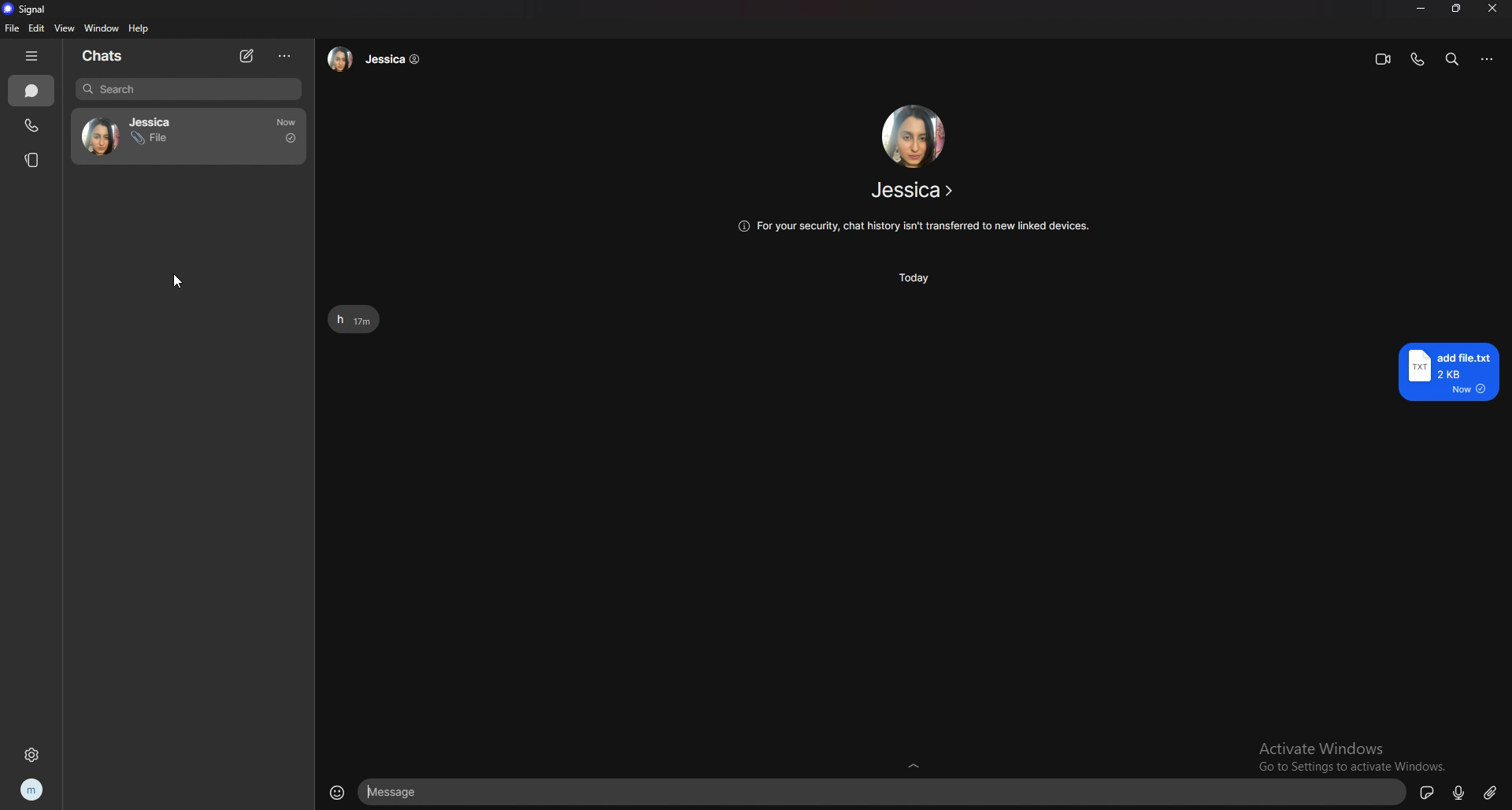 Image resolution: width=1512 pixels, height=810 pixels. Describe the element at coordinates (1444, 371) in the screenshot. I see `add file.txt2KB` at that location.